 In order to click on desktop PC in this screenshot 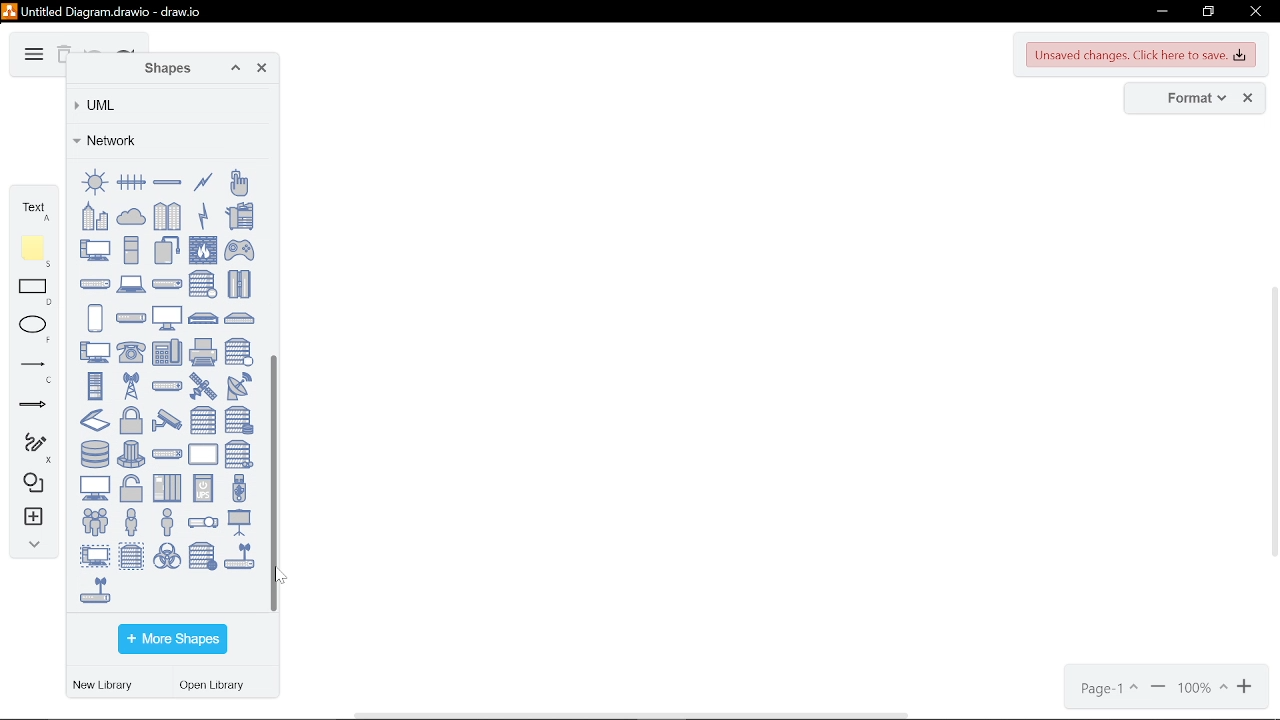, I will do `click(131, 249)`.